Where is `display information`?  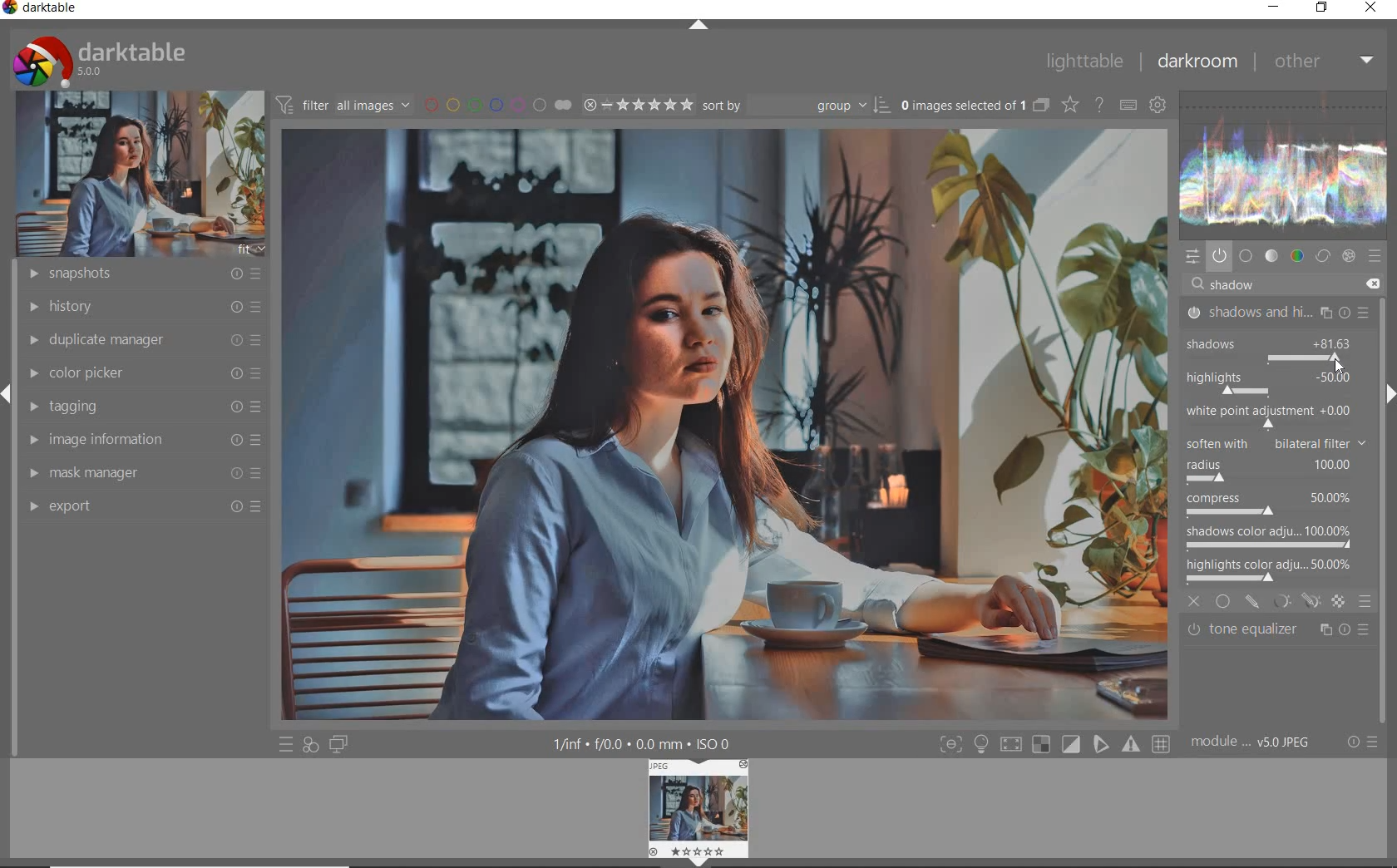
display information is located at coordinates (644, 742).